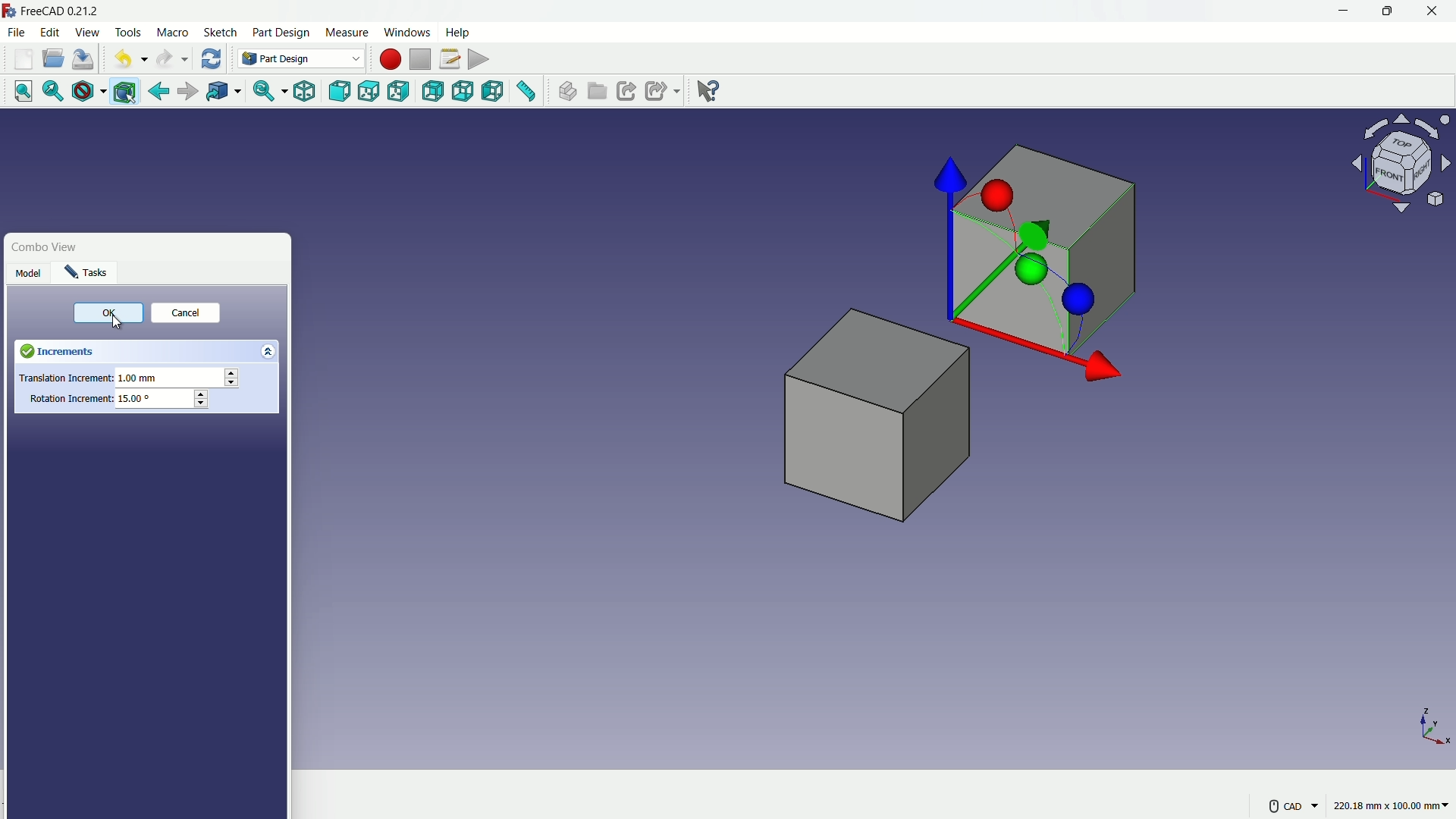 The image size is (1456, 819). I want to click on help extension, so click(704, 89).